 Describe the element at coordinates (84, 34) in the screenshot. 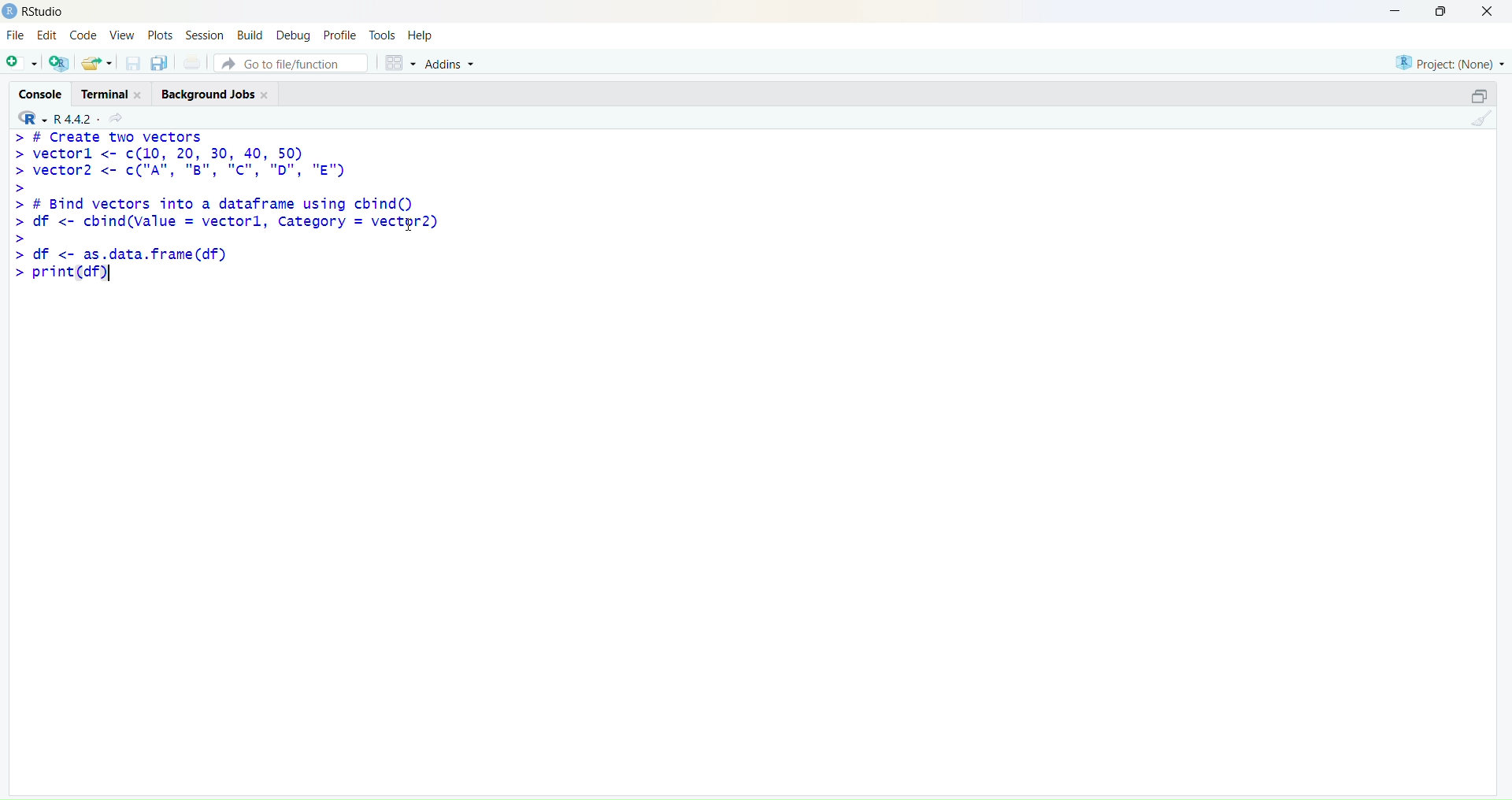

I see `Code` at that location.